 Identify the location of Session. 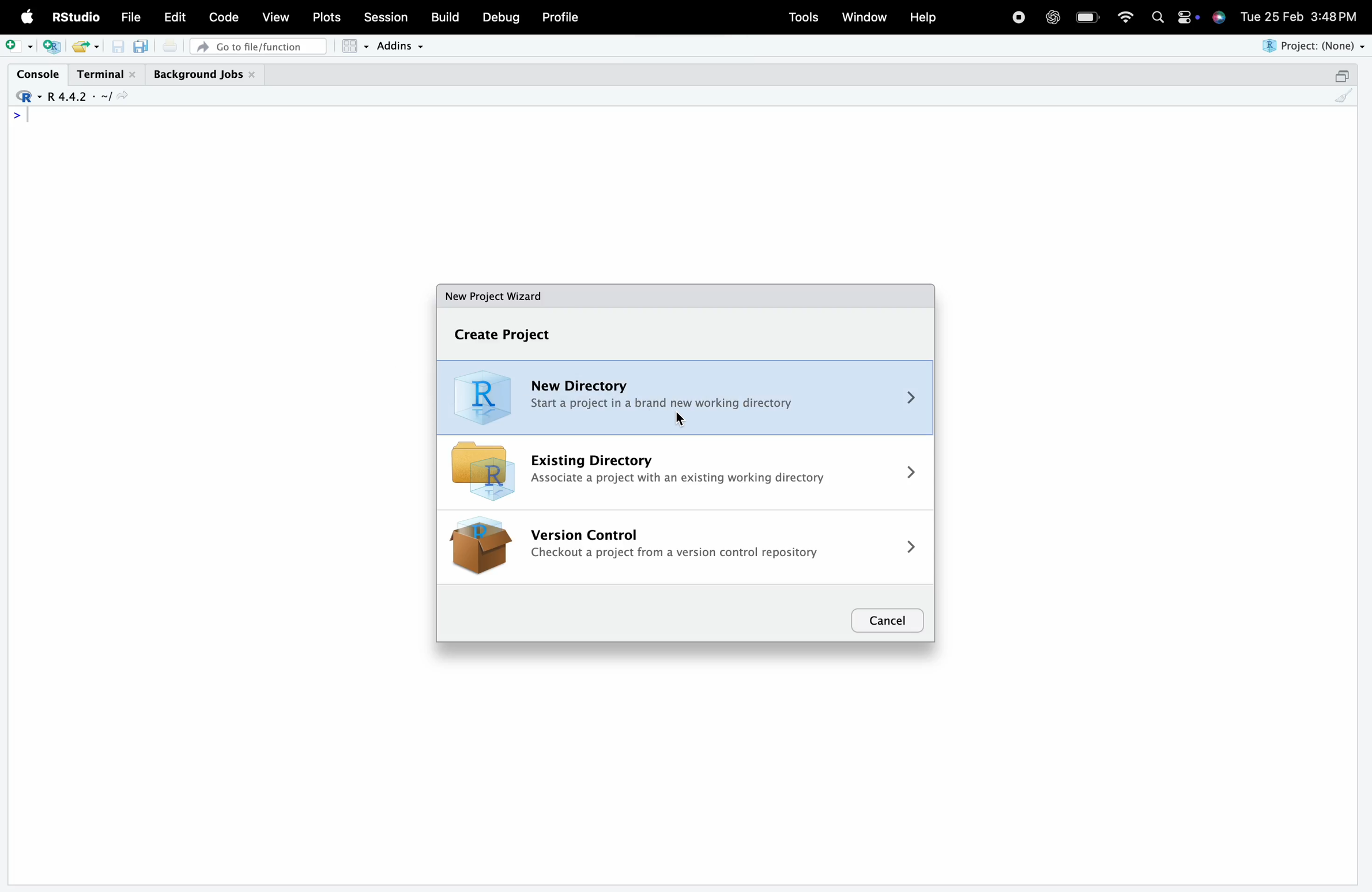
(386, 16).